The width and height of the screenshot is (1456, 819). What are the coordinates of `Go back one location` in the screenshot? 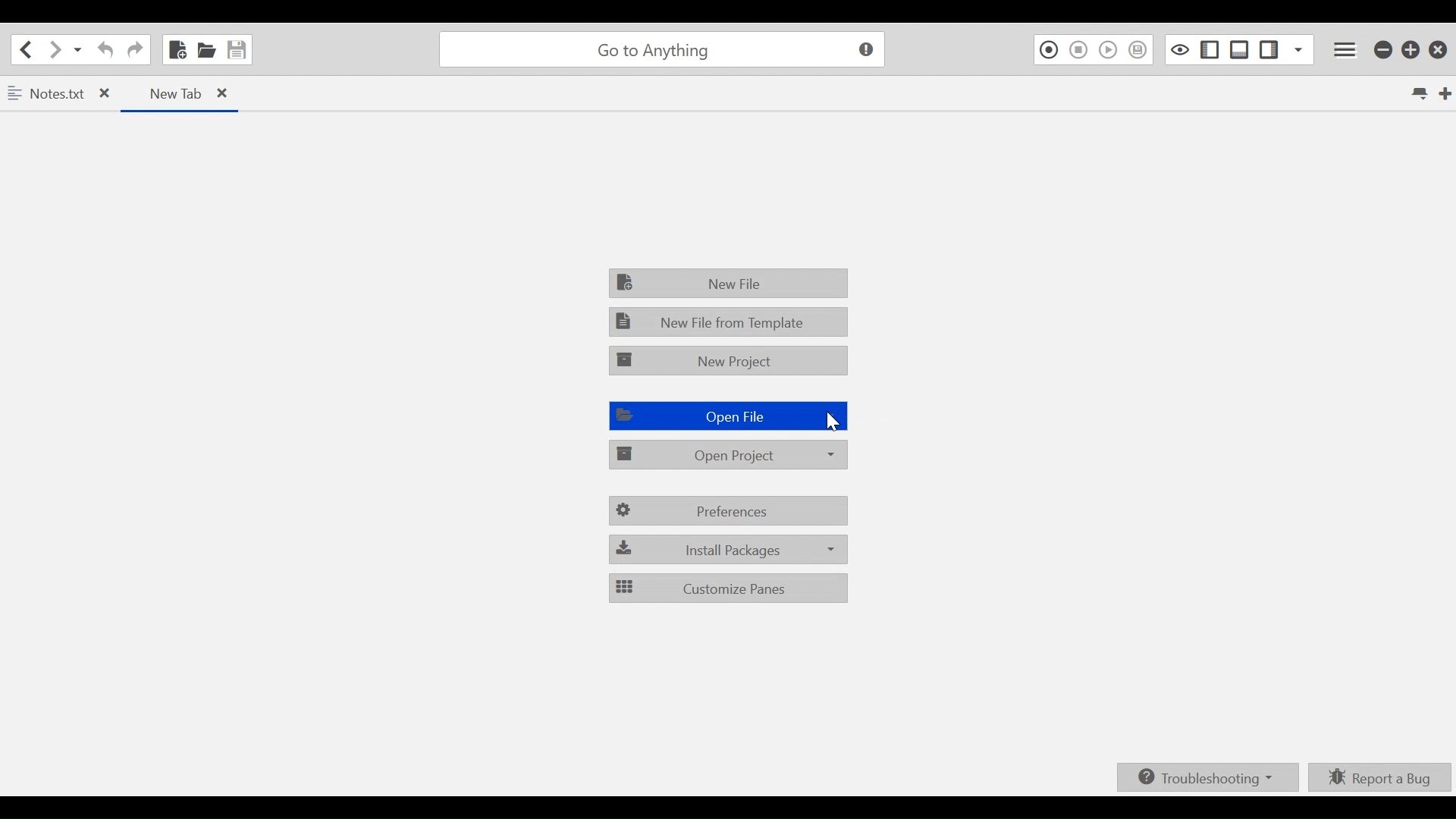 It's located at (28, 49).